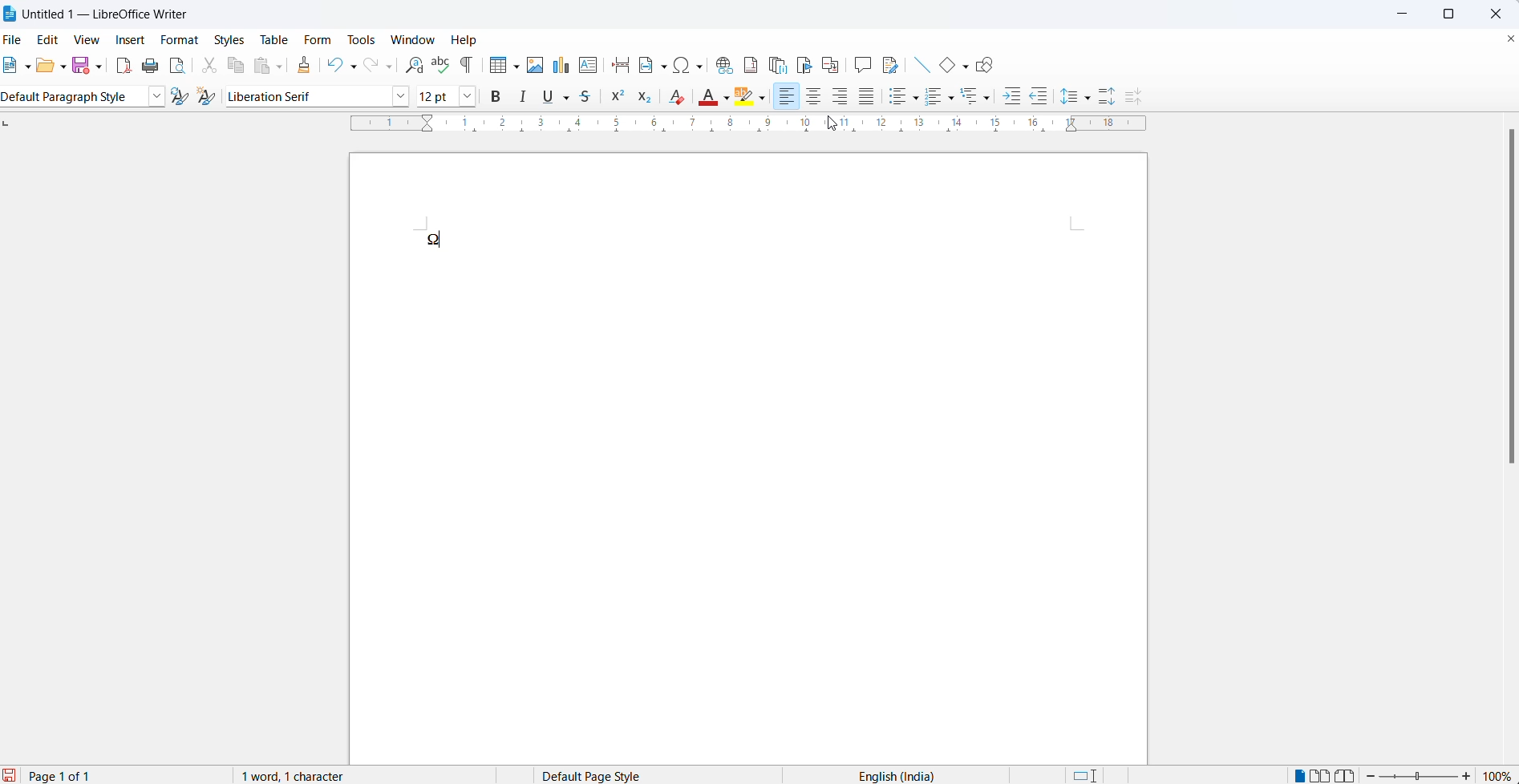 The image size is (1519, 784). What do you see at coordinates (271, 40) in the screenshot?
I see `table` at bounding box center [271, 40].